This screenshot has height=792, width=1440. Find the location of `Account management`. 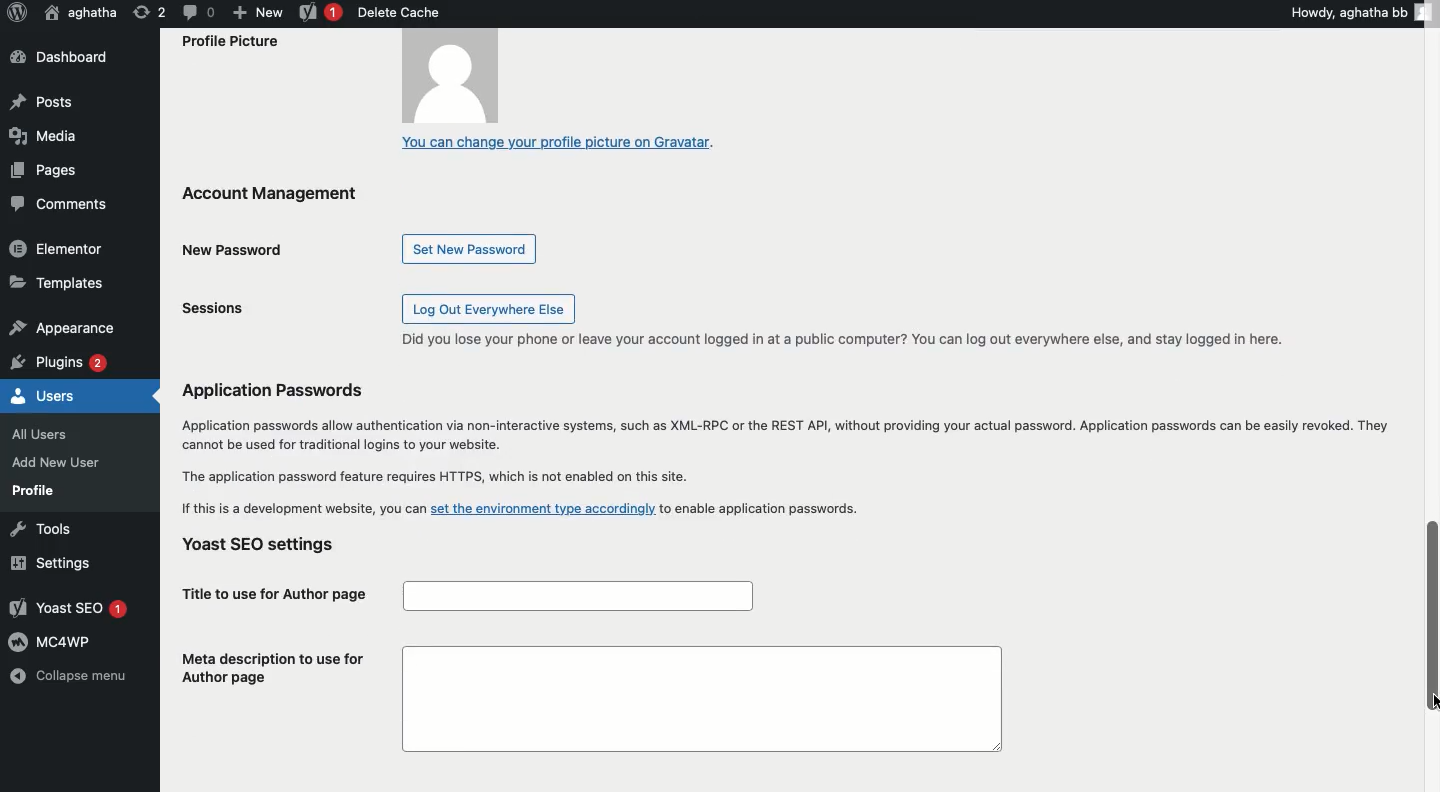

Account management is located at coordinates (298, 198).